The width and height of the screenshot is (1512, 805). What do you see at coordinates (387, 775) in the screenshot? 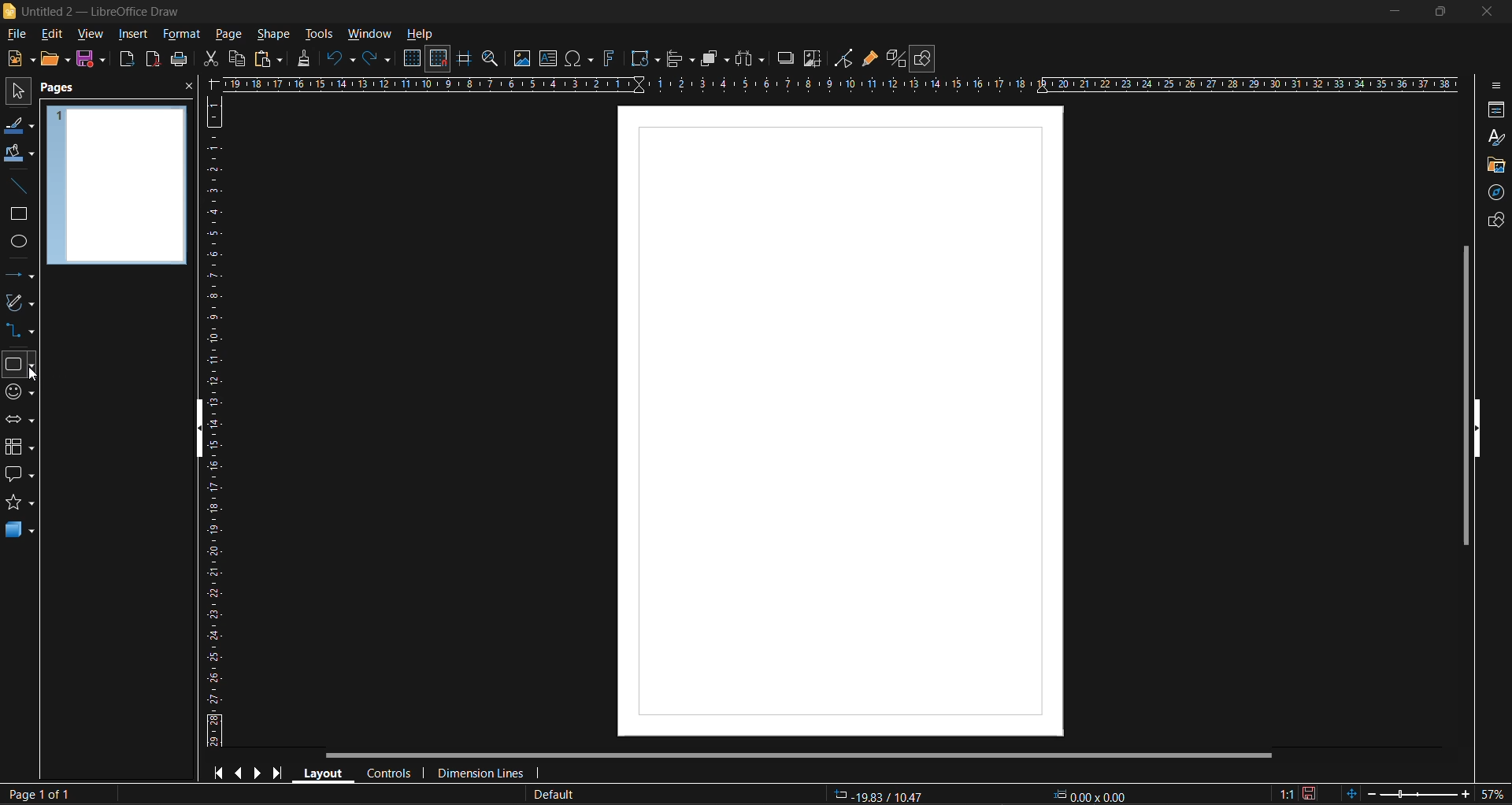
I see `controls` at bounding box center [387, 775].